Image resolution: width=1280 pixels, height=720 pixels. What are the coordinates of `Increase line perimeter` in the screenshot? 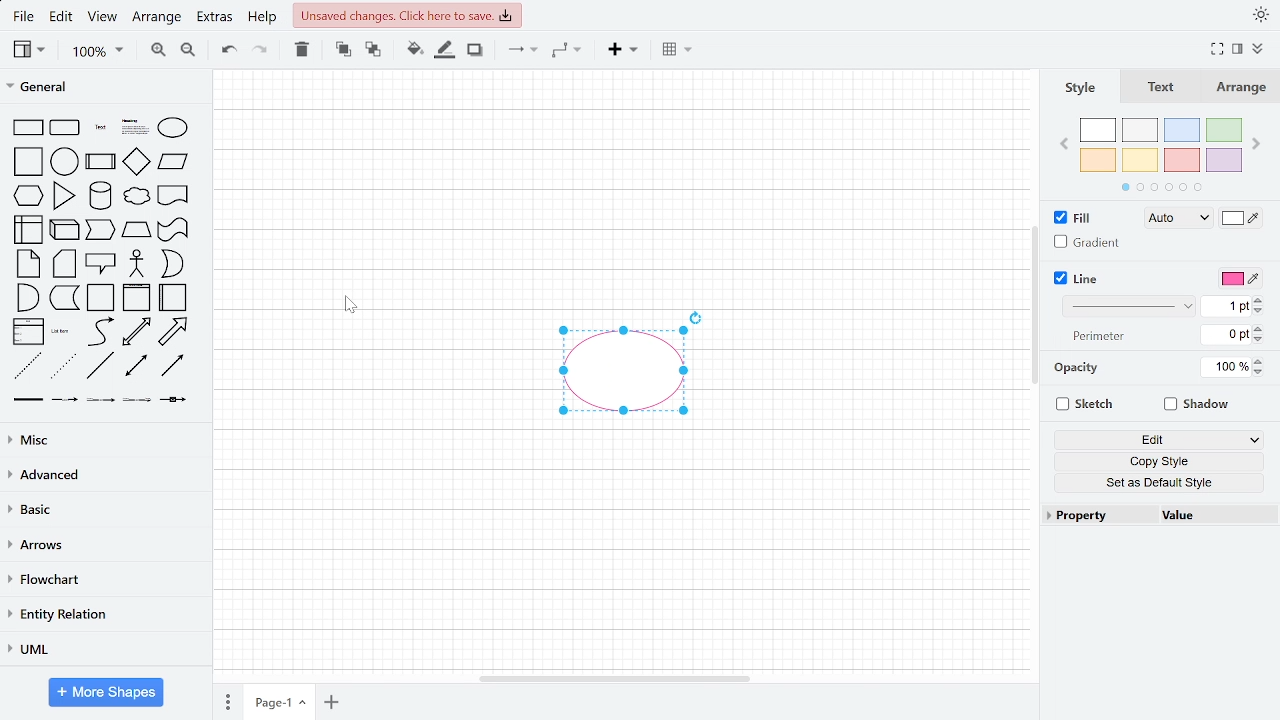 It's located at (1259, 328).